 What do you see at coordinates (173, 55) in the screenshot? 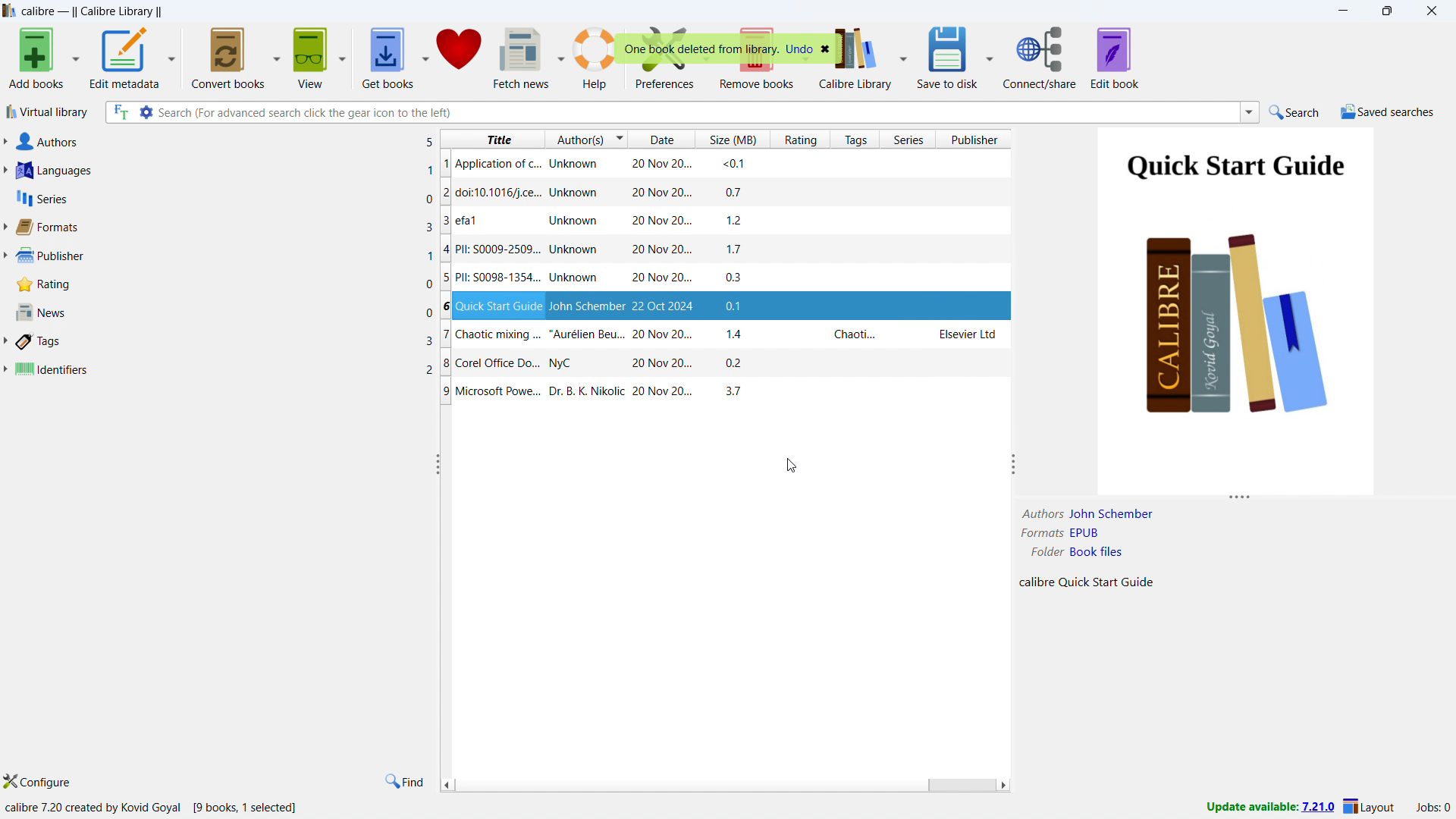
I see `edit metadata options` at bounding box center [173, 55].